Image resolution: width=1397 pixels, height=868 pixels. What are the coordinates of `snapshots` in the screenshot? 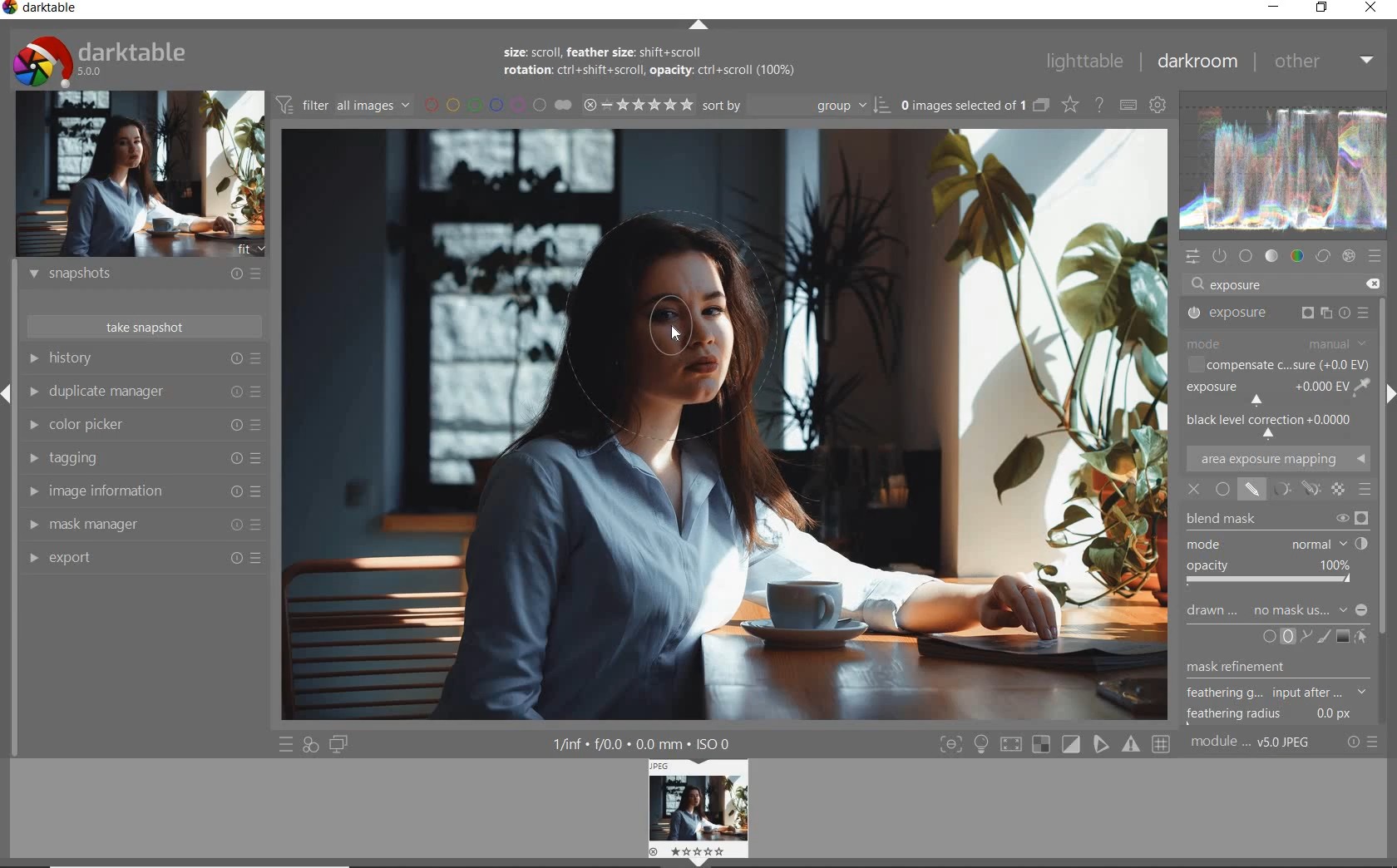 It's located at (147, 274).